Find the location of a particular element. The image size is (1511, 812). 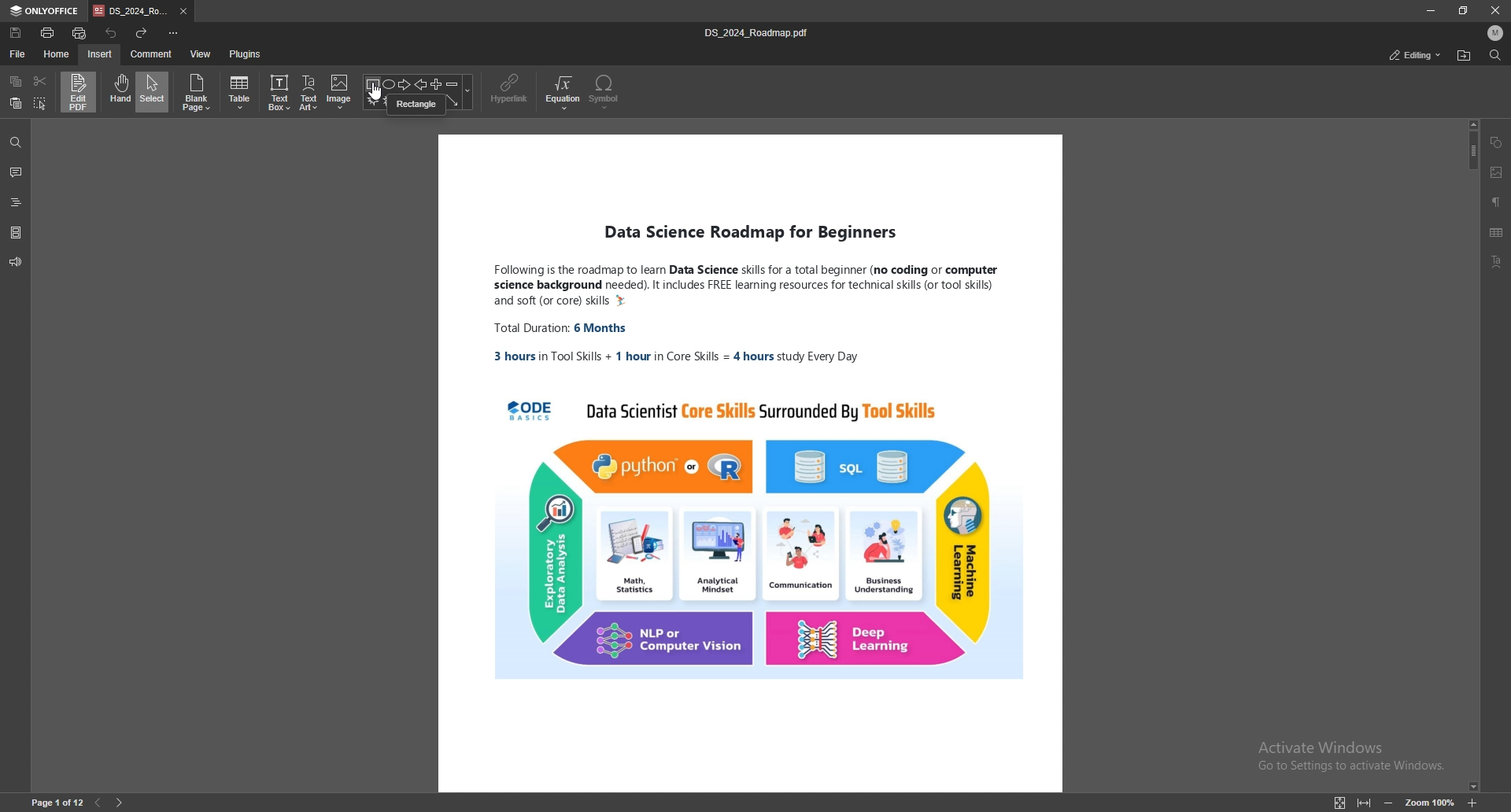

blank page is located at coordinates (198, 93).